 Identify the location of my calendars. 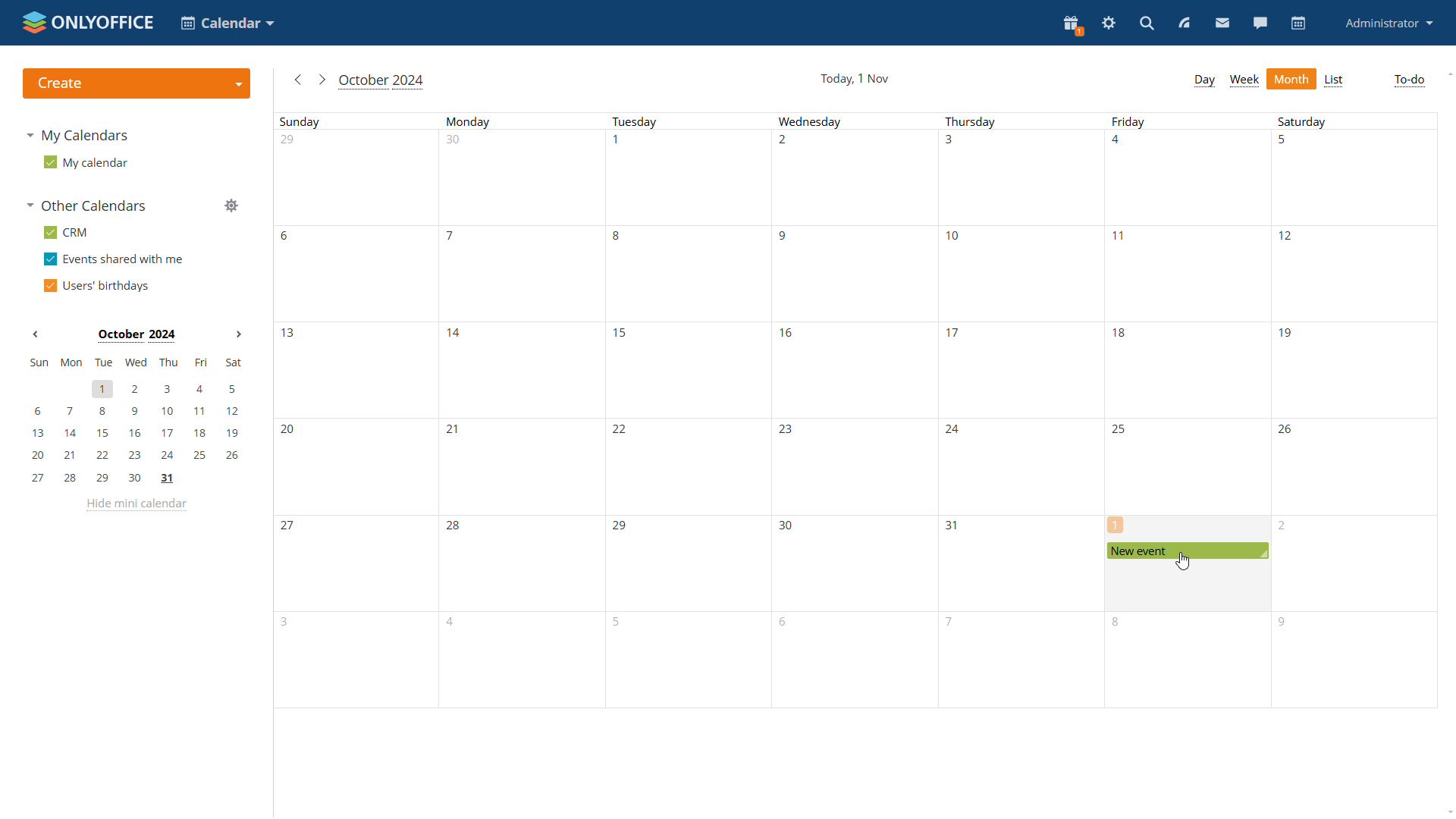
(83, 137).